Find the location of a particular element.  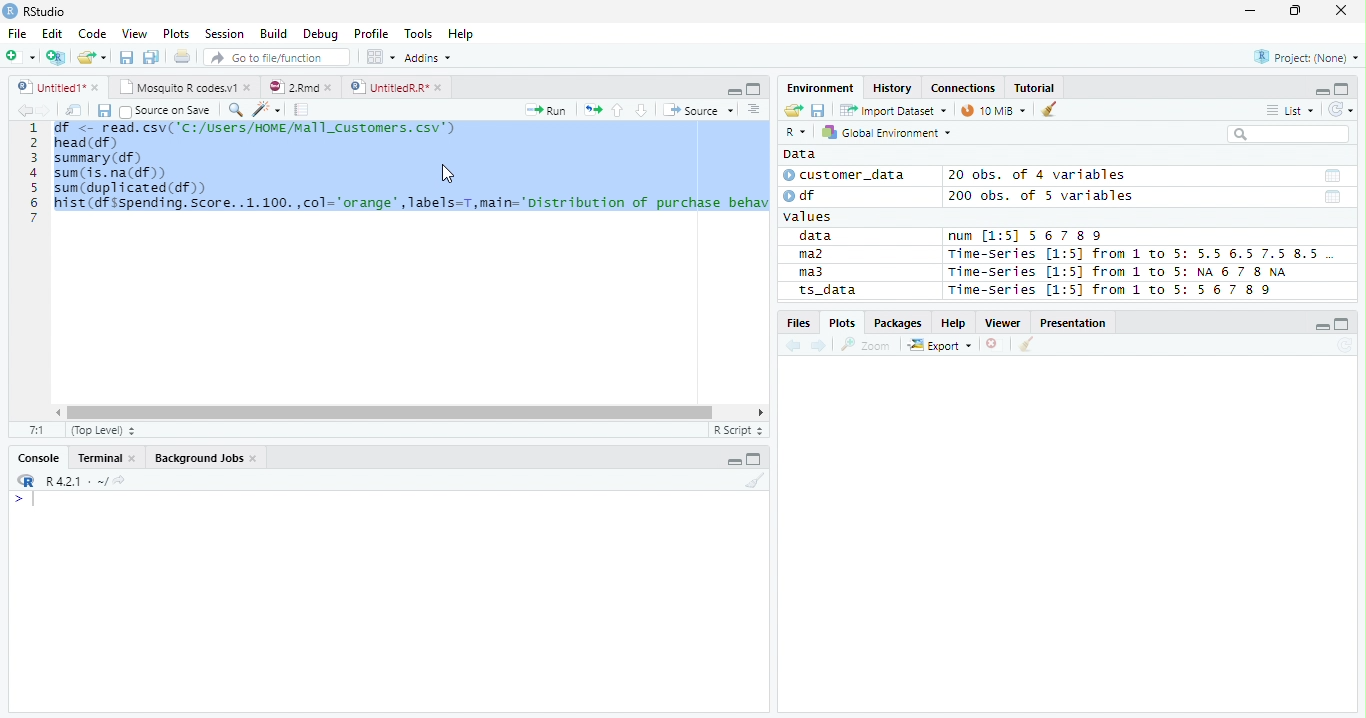

Environment is located at coordinates (822, 88).